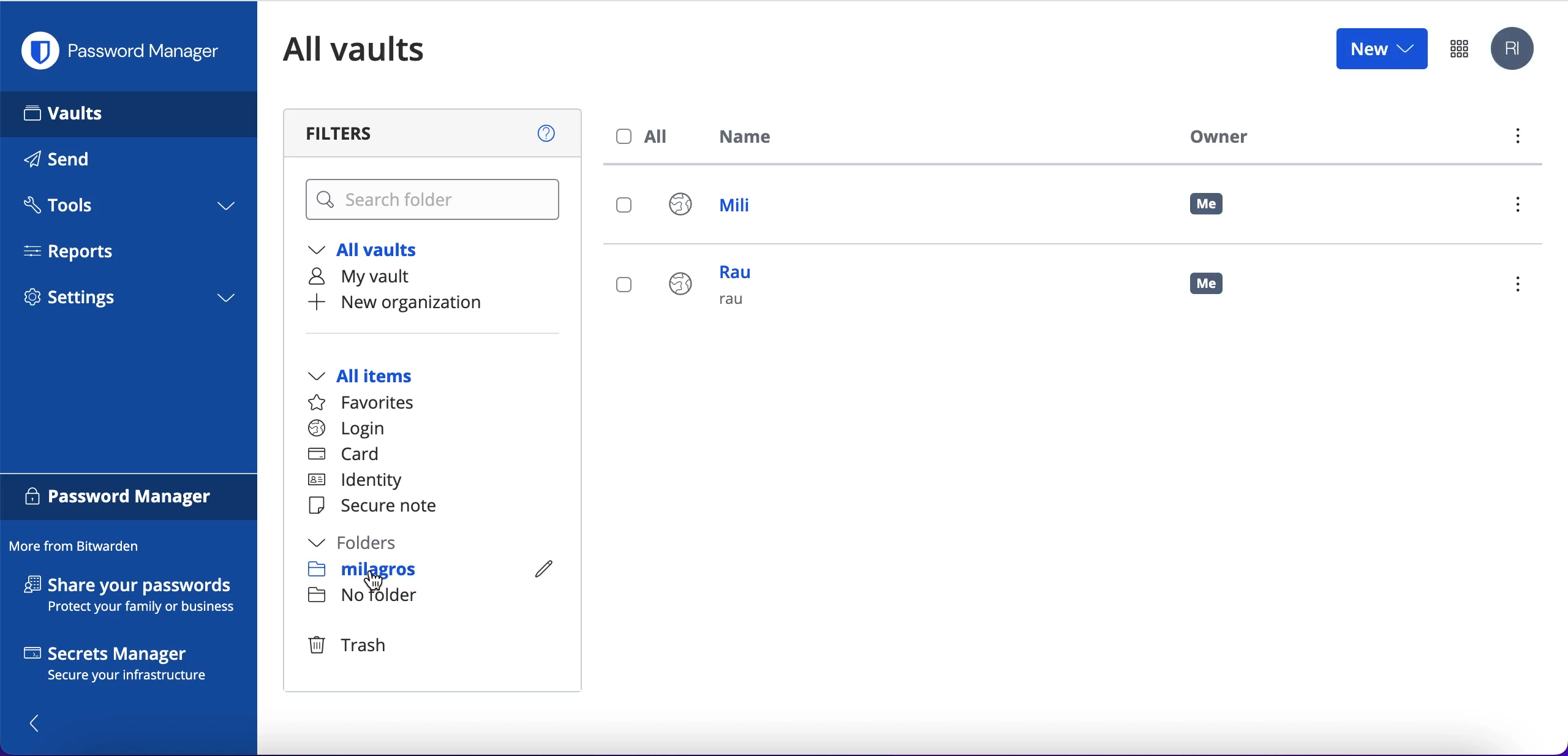 The image size is (1568, 756). I want to click on show/hide panel, so click(41, 722).